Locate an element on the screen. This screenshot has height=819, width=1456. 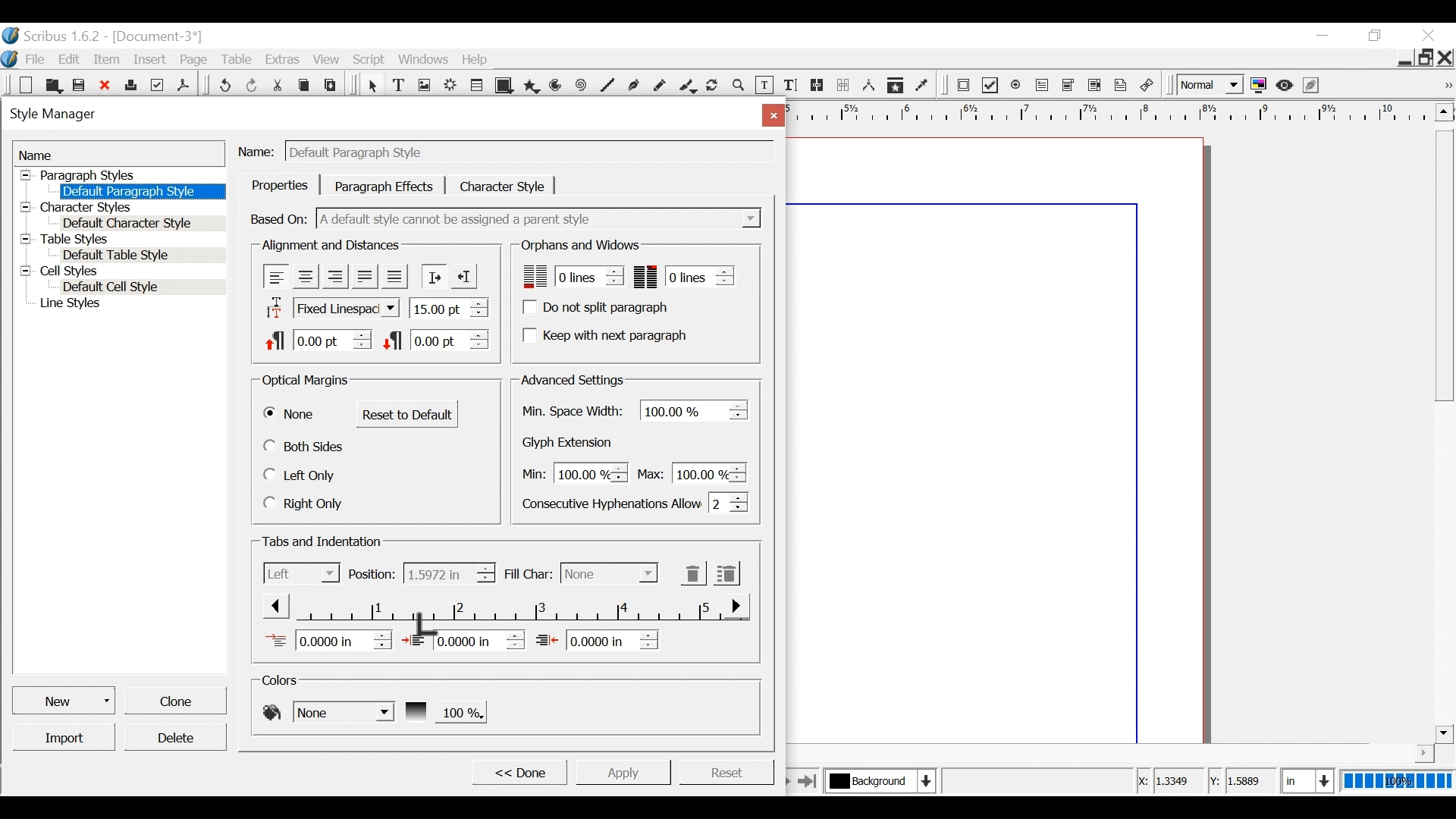
View is located at coordinates (327, 59).